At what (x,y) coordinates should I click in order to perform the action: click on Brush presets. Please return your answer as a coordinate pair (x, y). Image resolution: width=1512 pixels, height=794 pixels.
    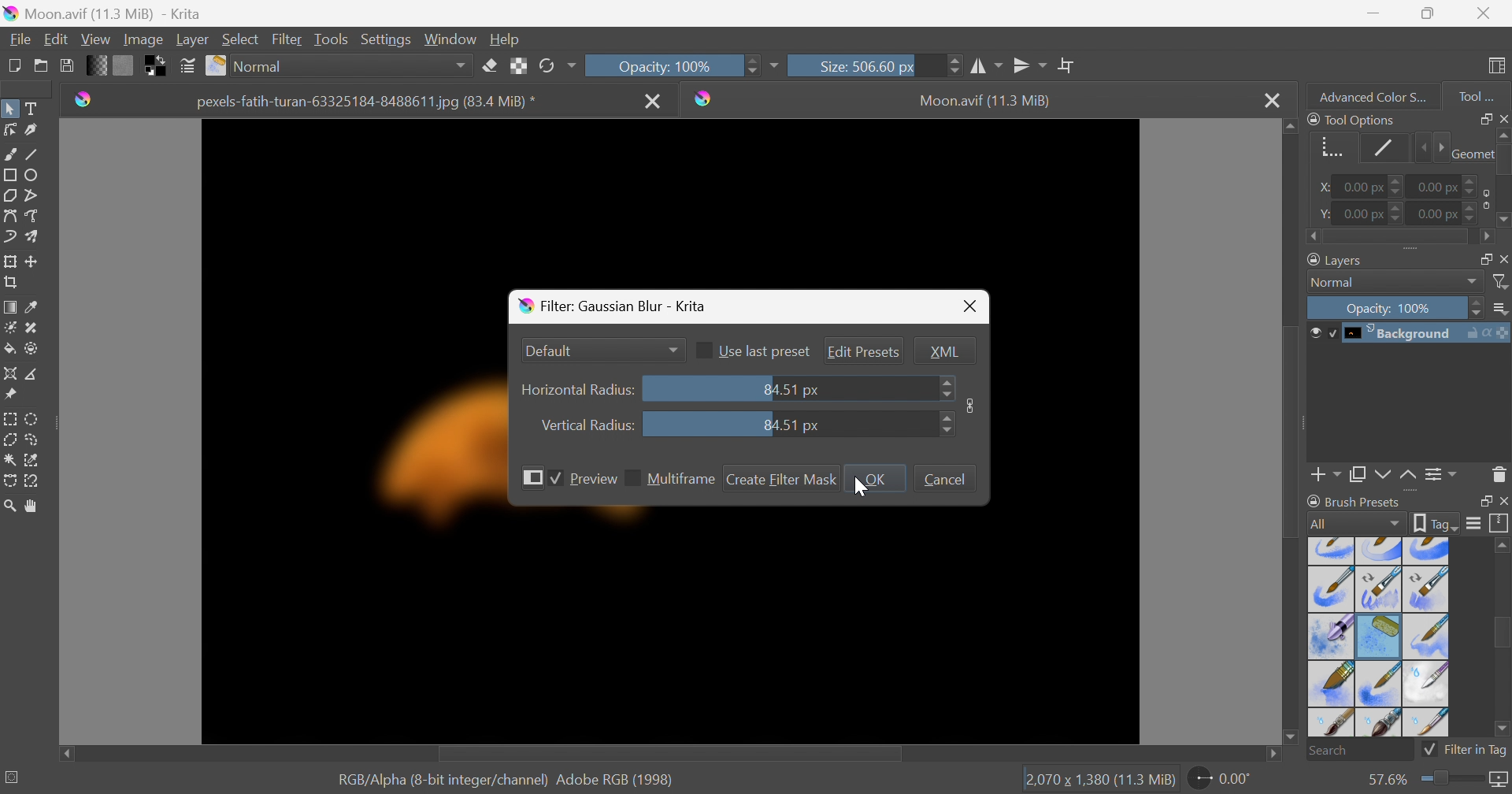
    Looking at the image, I should click on (1357, 503).